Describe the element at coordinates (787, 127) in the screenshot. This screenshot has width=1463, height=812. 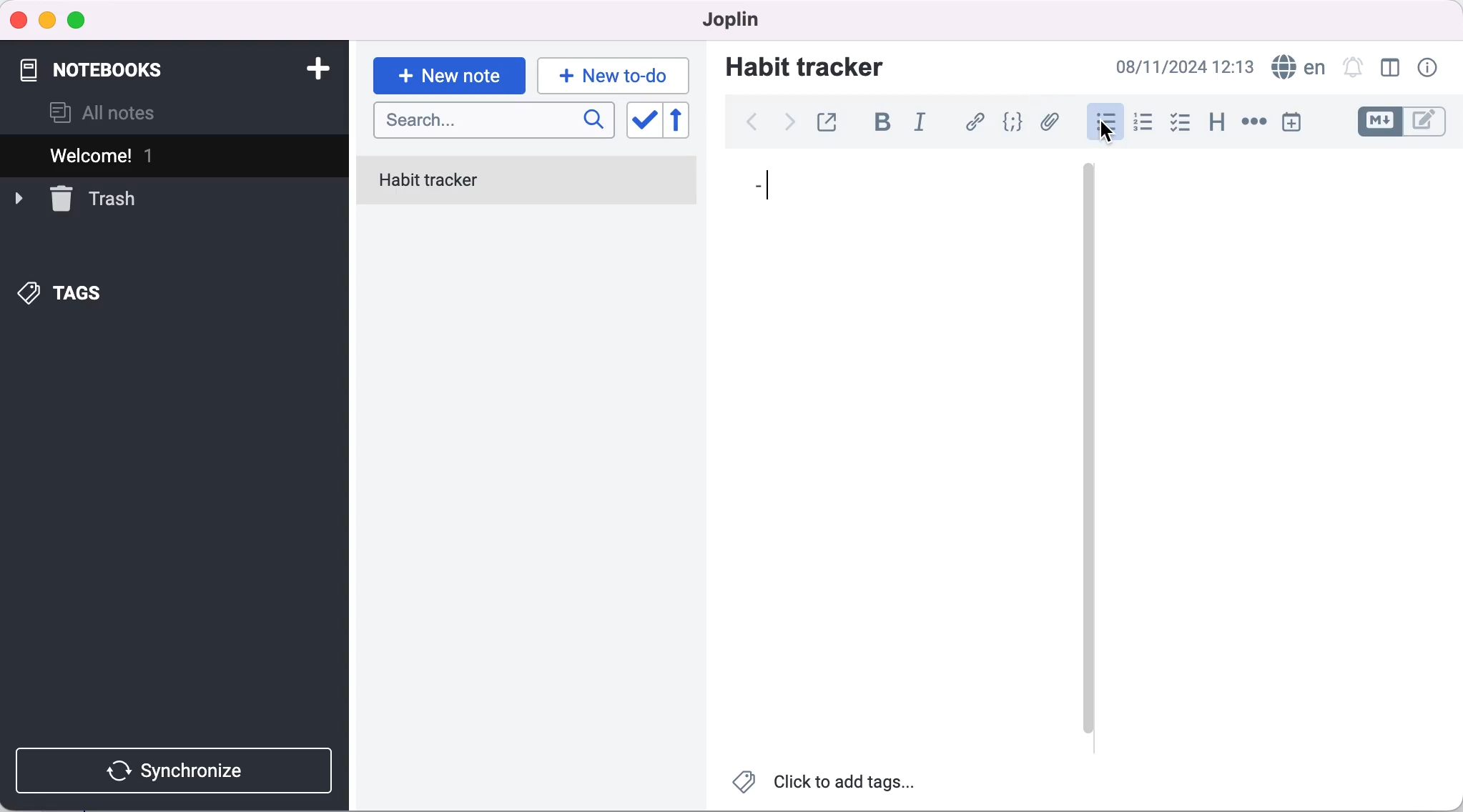
I see `forward` at that location.